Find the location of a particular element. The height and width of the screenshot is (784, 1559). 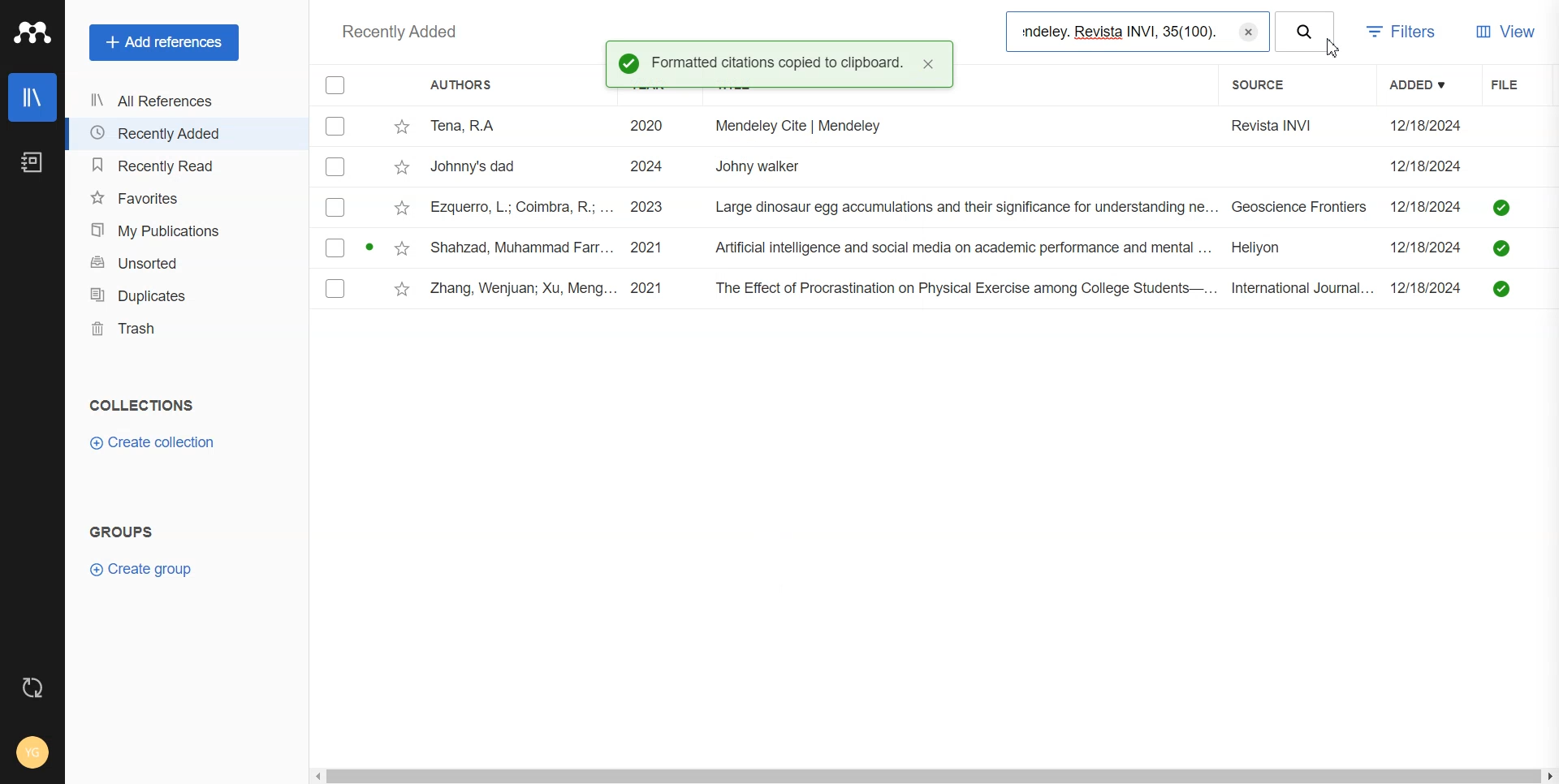

Favorites is located at coordinates (186, 197).